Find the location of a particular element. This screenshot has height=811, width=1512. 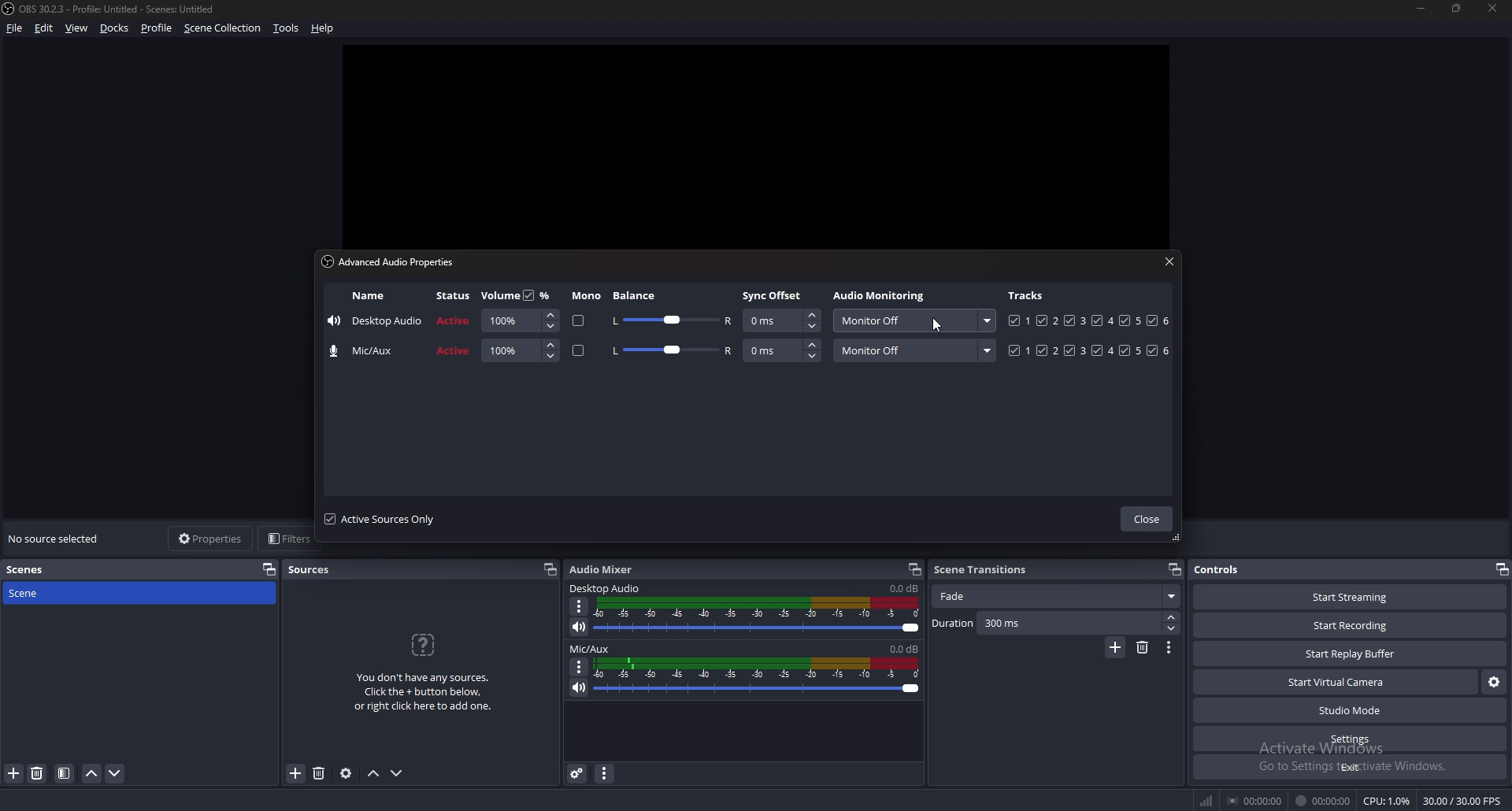

active sources only is located at coordinates (386, 520).